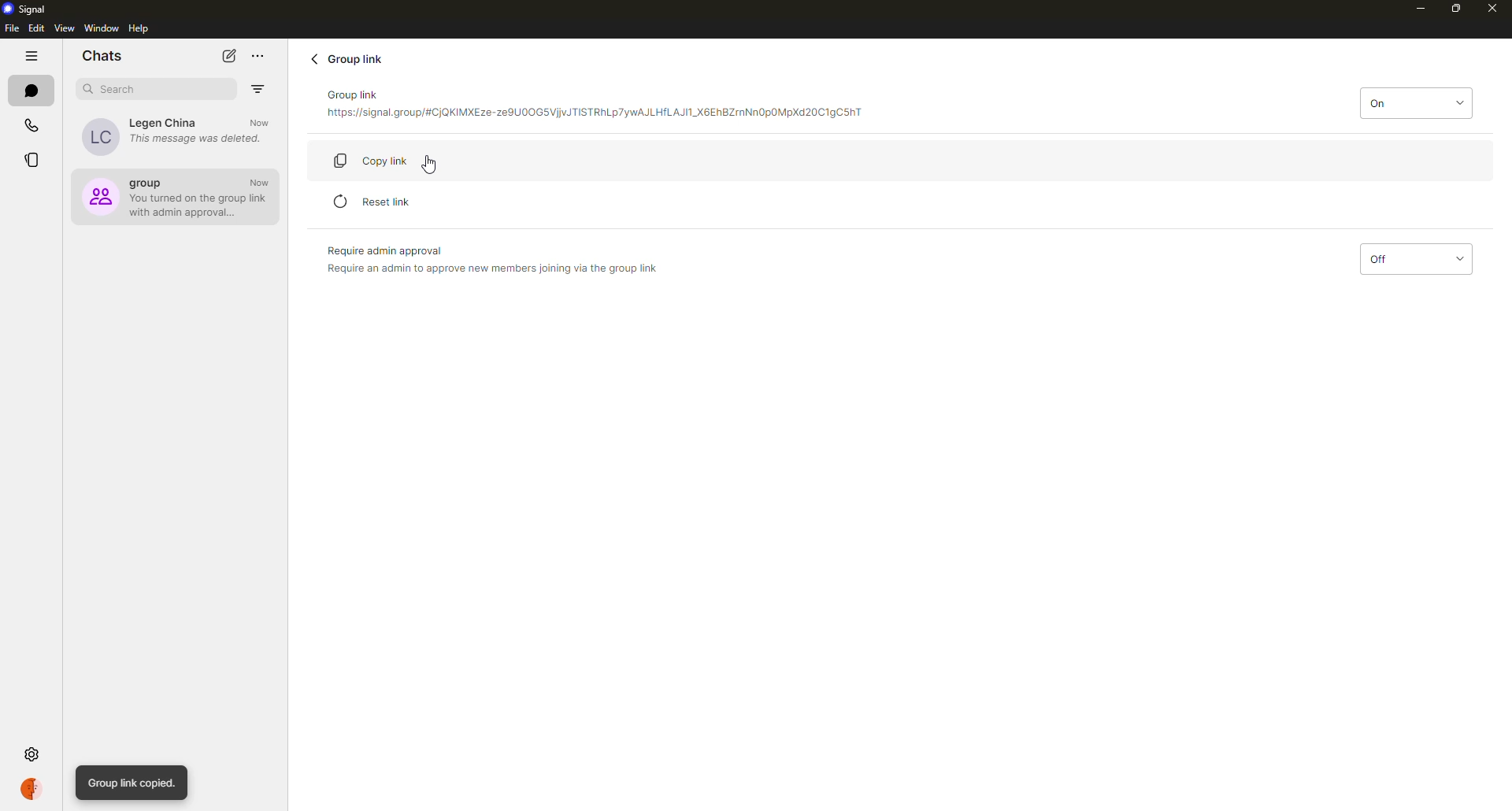 The image size is (1512, 811). Describe the element at coordinates (64, 29) in the screenshot. I see `view` at that location.